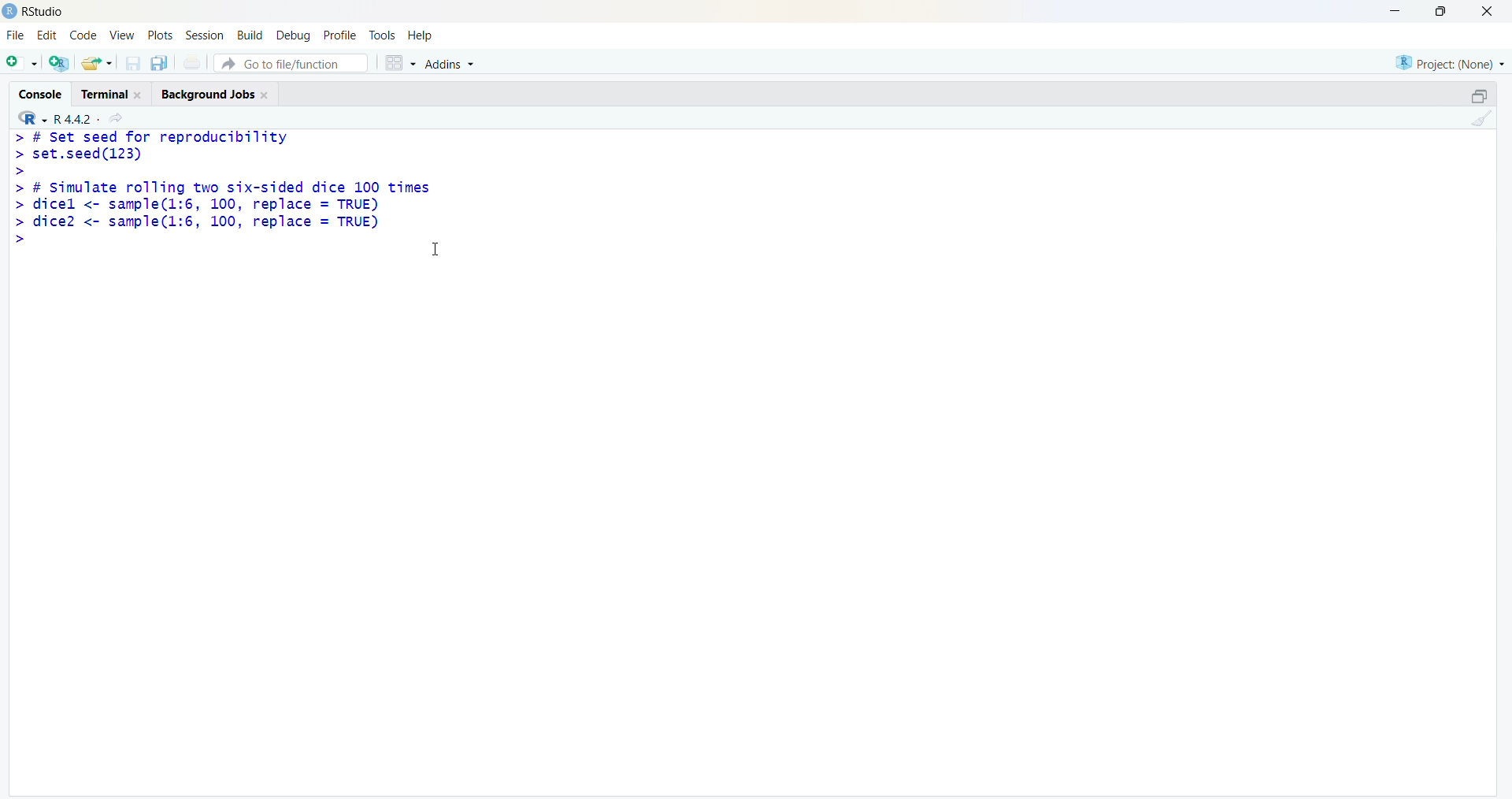  I want to click on cosole, so click(40, 95).